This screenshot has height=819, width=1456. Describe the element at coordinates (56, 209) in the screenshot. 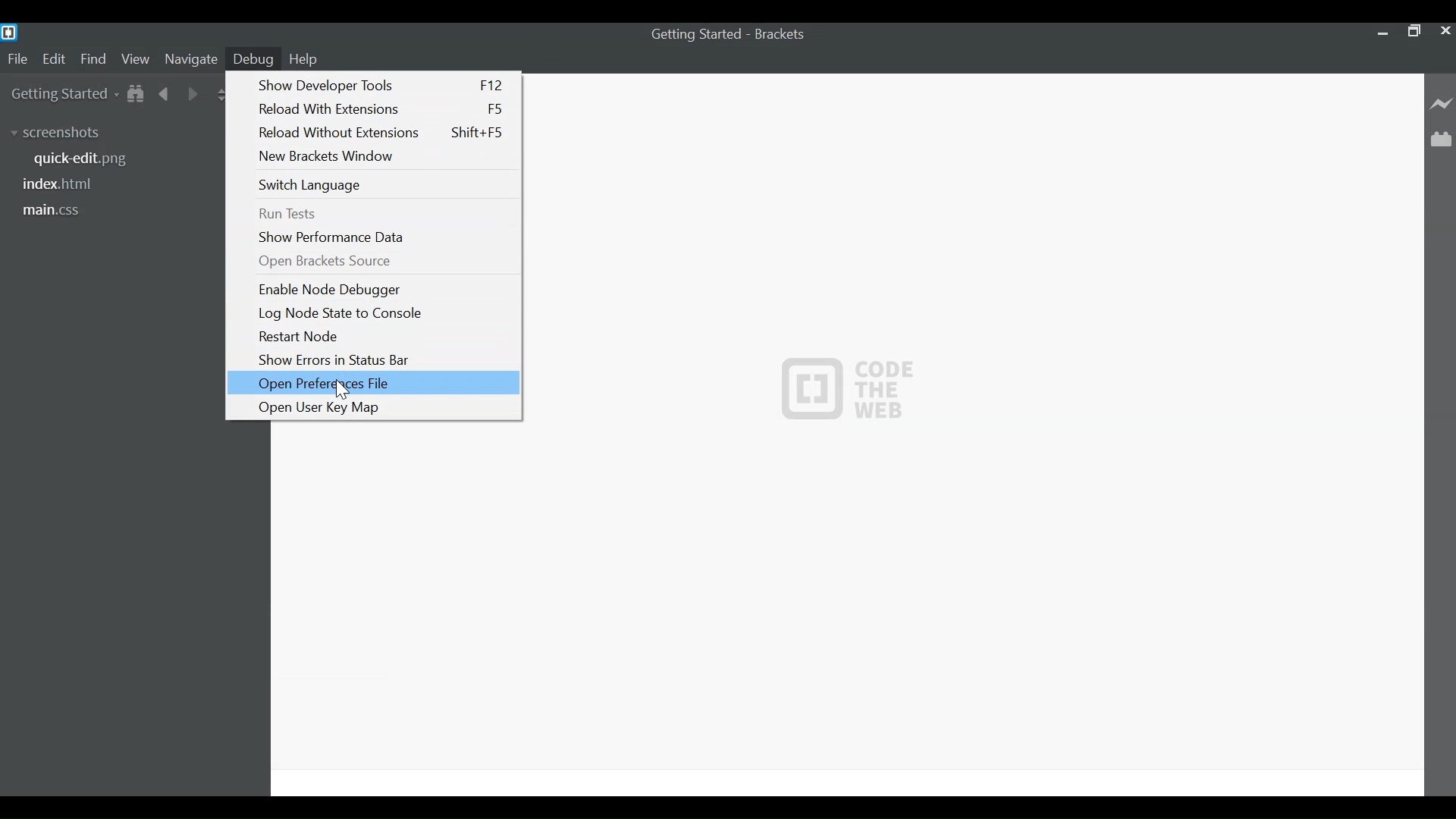

I see `main.css` at that location.